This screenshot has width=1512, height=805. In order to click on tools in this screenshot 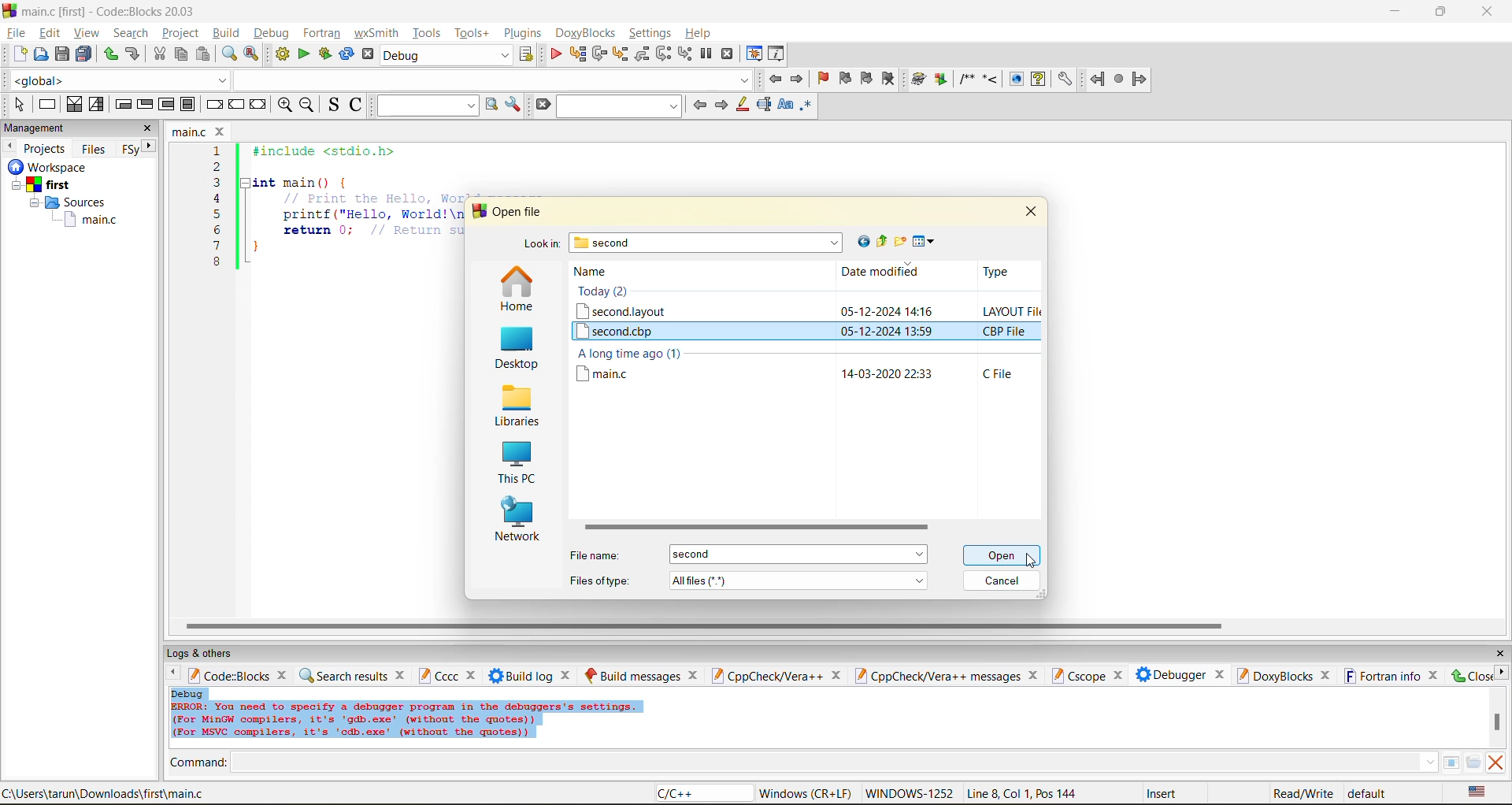, I will do `click(428, 32)`.